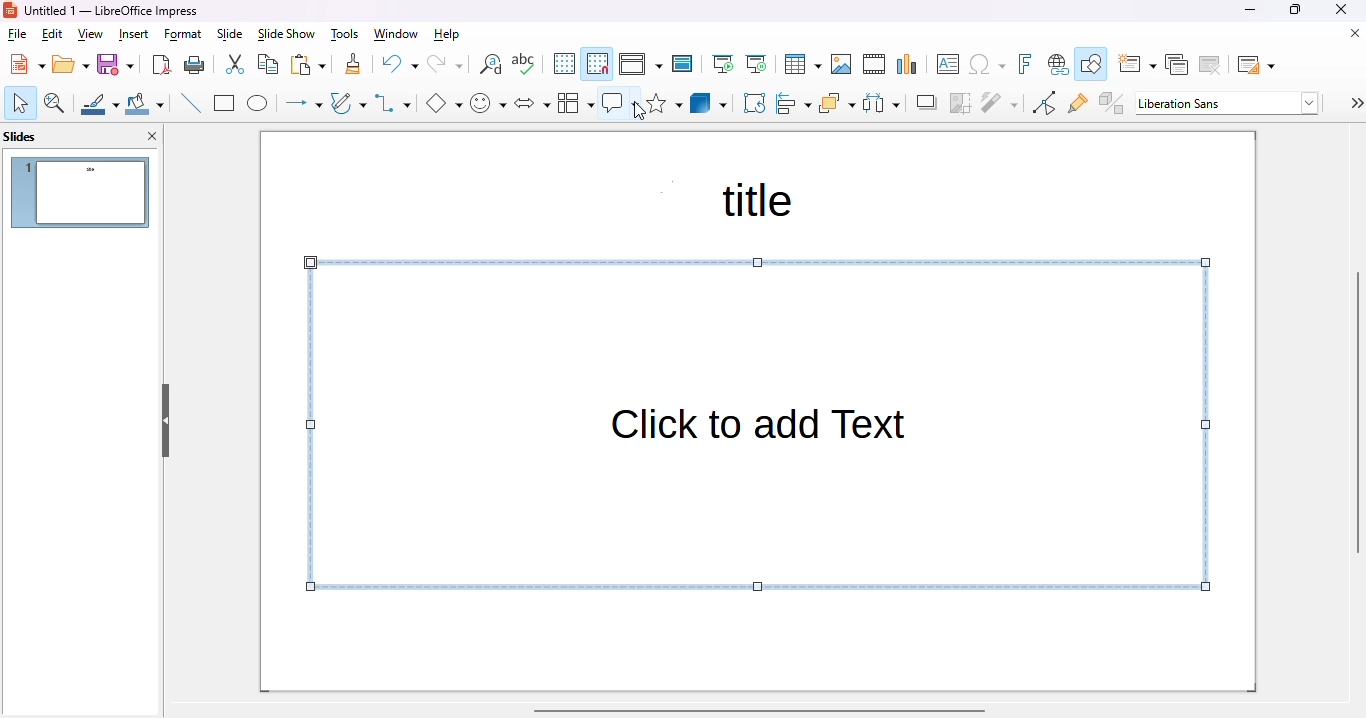 The height and width of the screenshot is (718, 1366). Describe the element at coordinates (55, 103) in the screenshot. I see `zoom & pan` at that location.